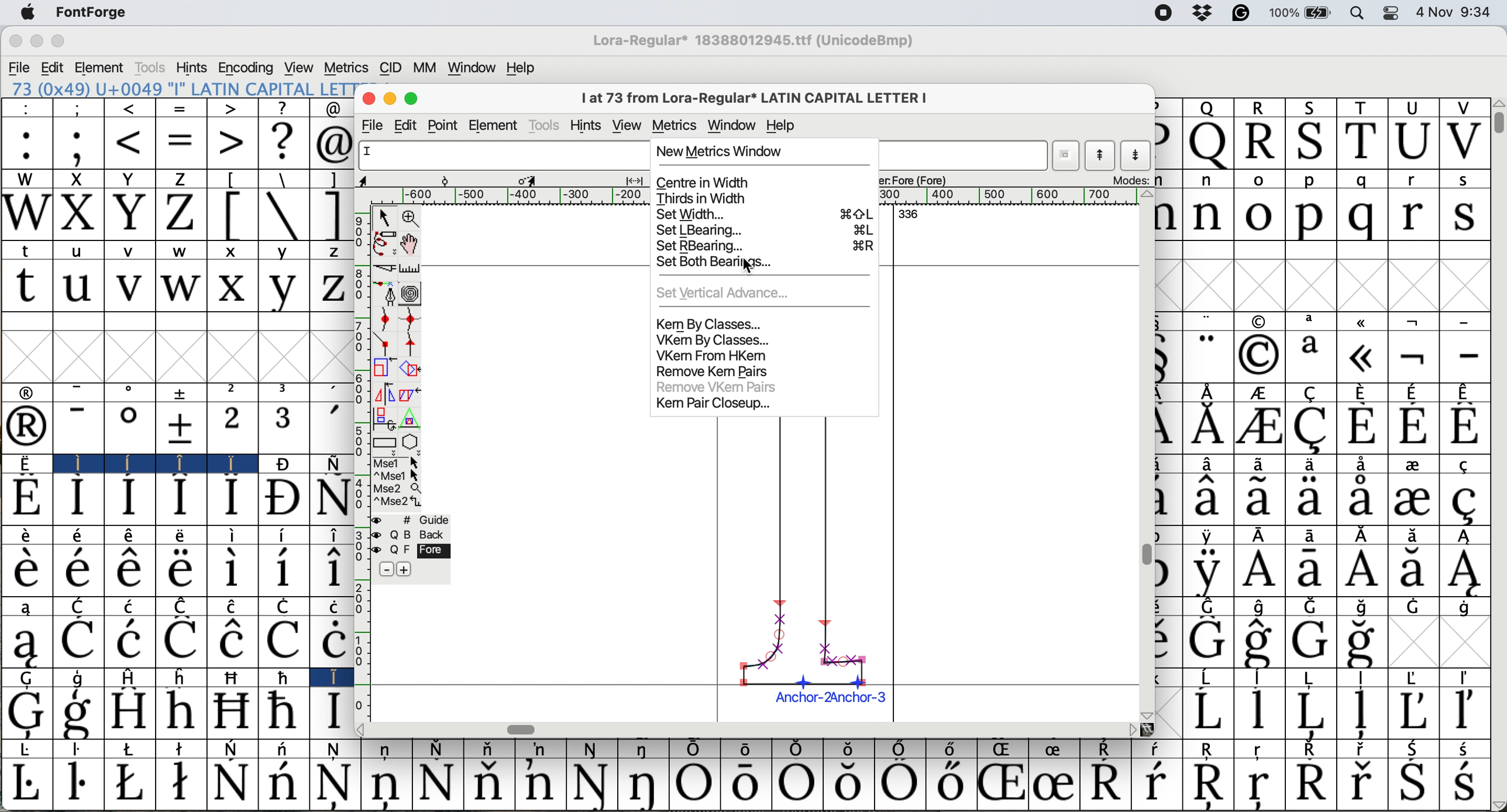 This screenshot has height=812, width=1507. I want to click on p, so click(1310, 181).